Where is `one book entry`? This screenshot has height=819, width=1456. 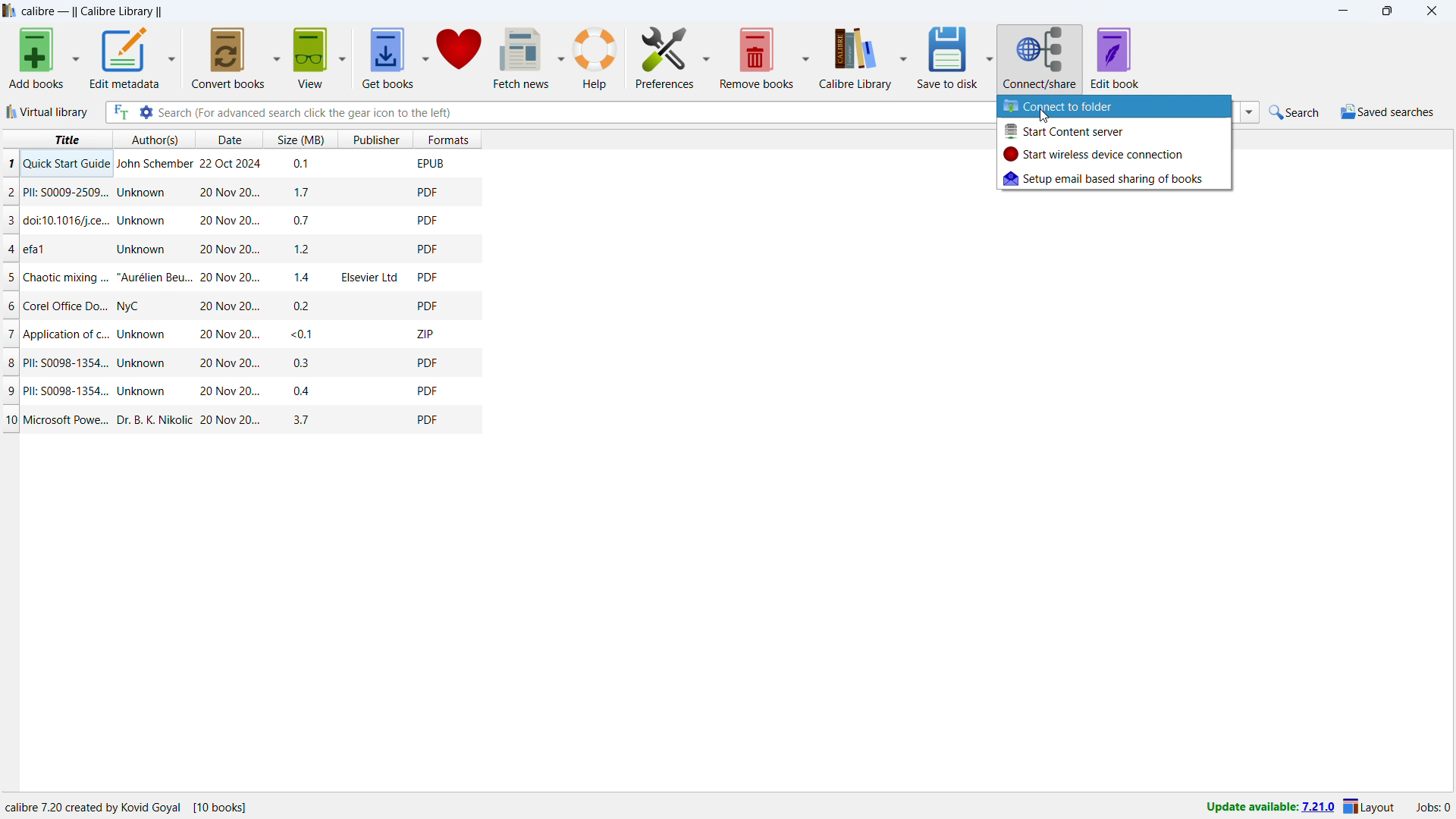 one book entry is located at coordinates (238, 193).